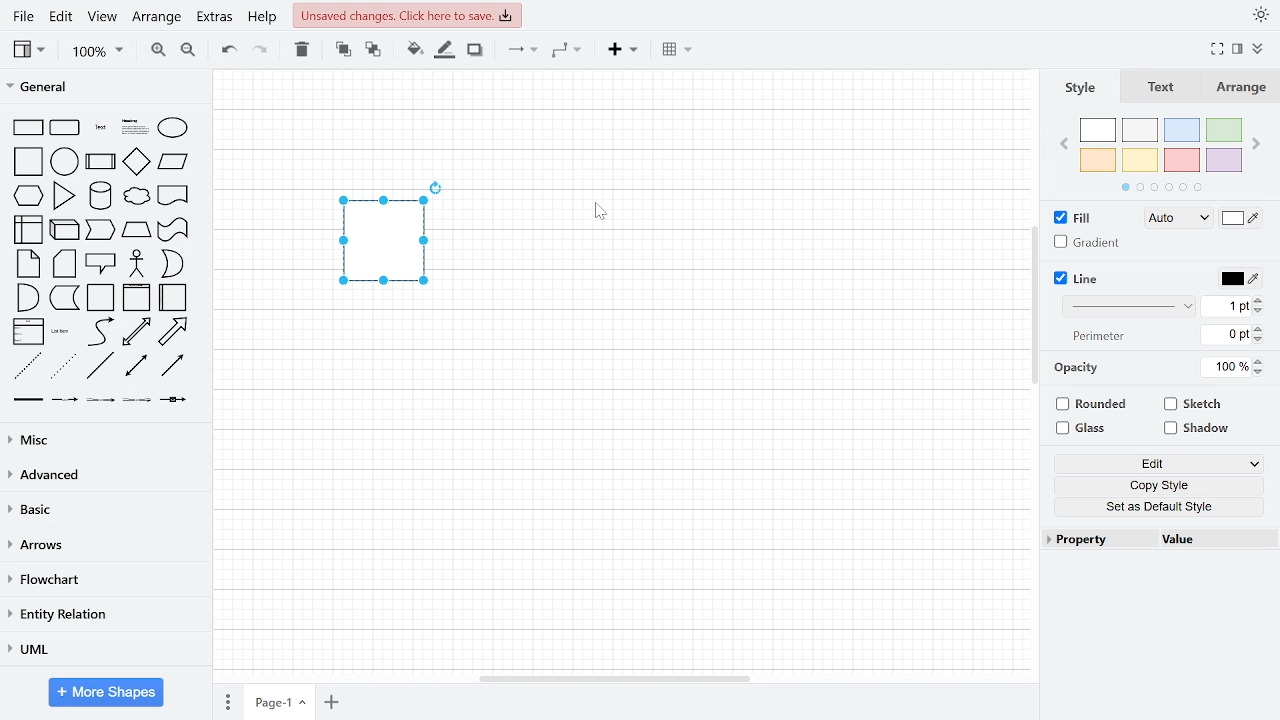  What do you see at coordinates (66, 161) in the screenshot?
I see `circle` at bounding box center [66, 161].